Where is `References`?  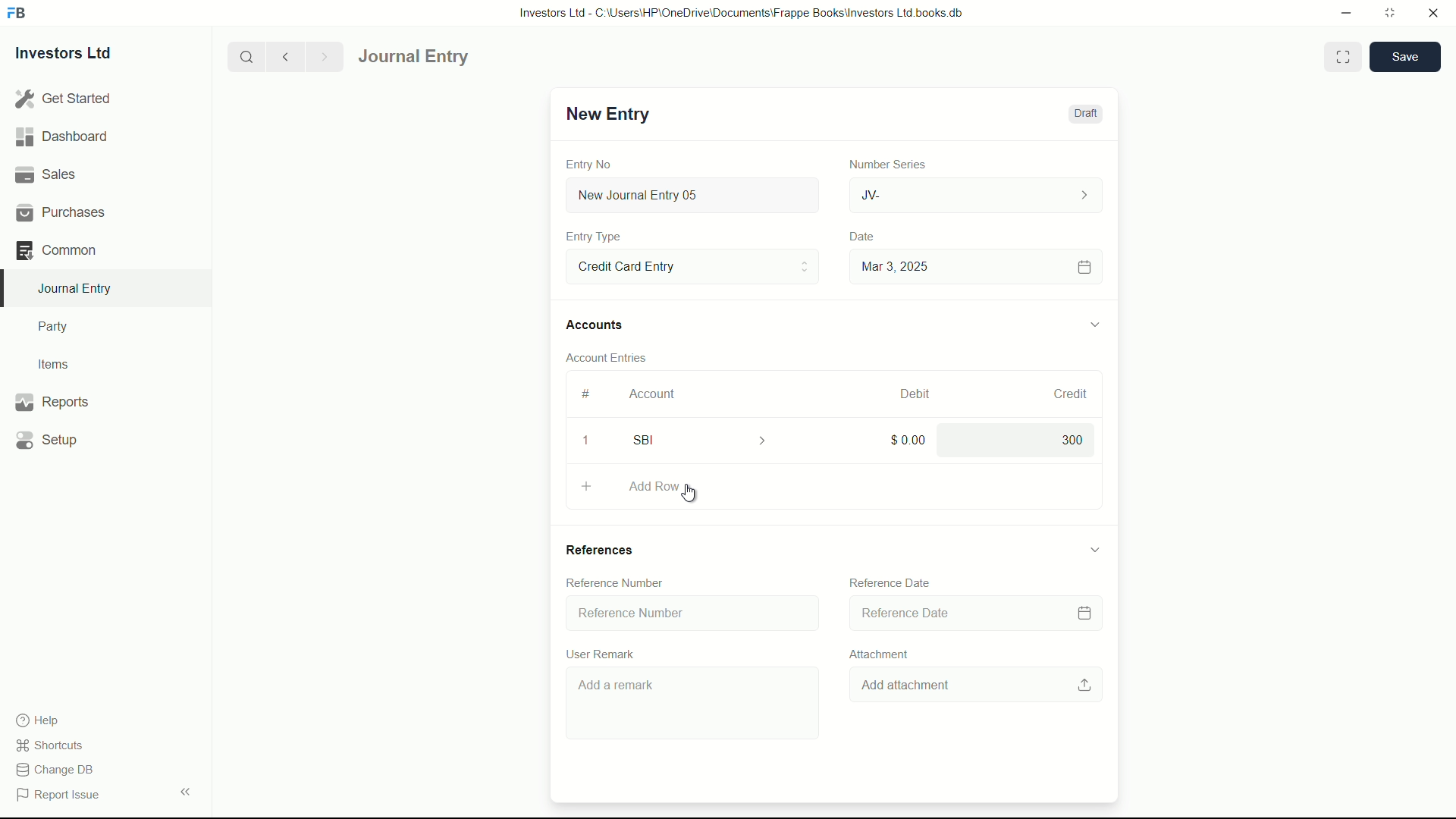 References is located at coordinates (607, 549).